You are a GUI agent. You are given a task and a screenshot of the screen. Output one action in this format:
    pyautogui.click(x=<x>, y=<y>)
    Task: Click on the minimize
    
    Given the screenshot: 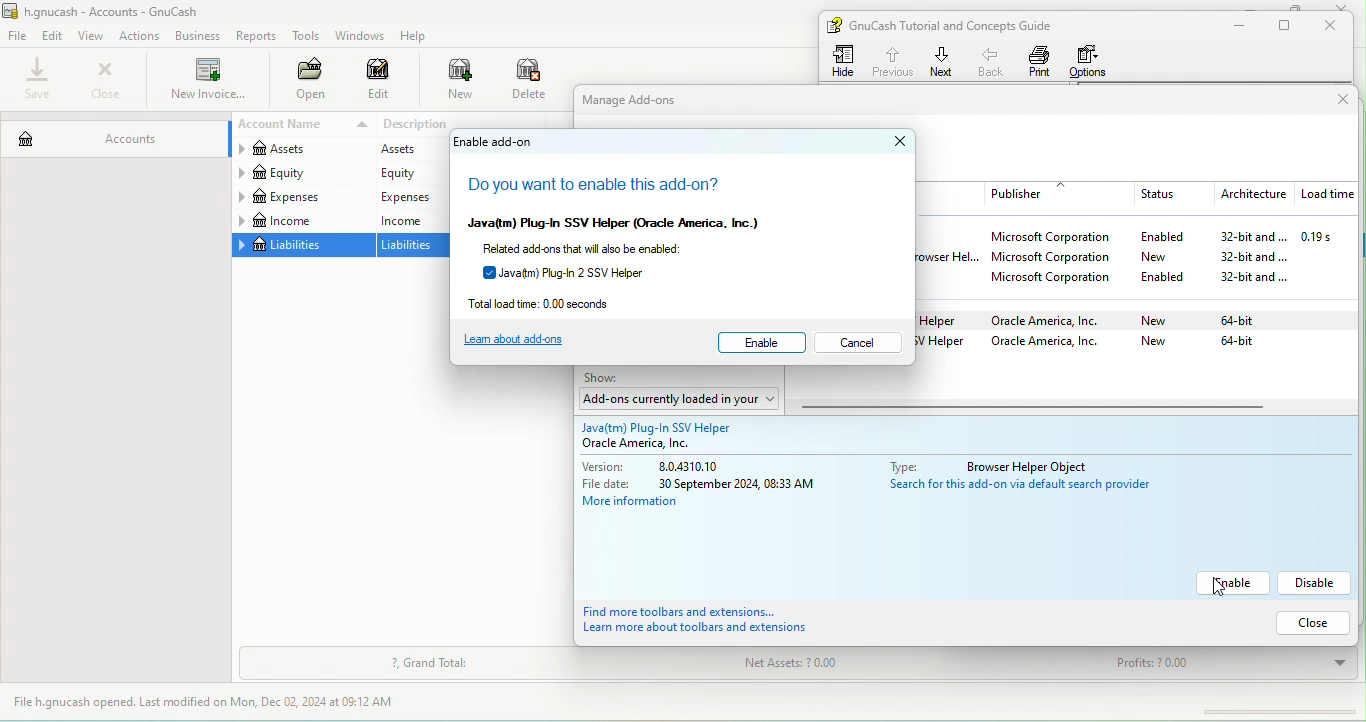 What is the action you would take?
    pyautogui.click(x=1235, y=26)
    